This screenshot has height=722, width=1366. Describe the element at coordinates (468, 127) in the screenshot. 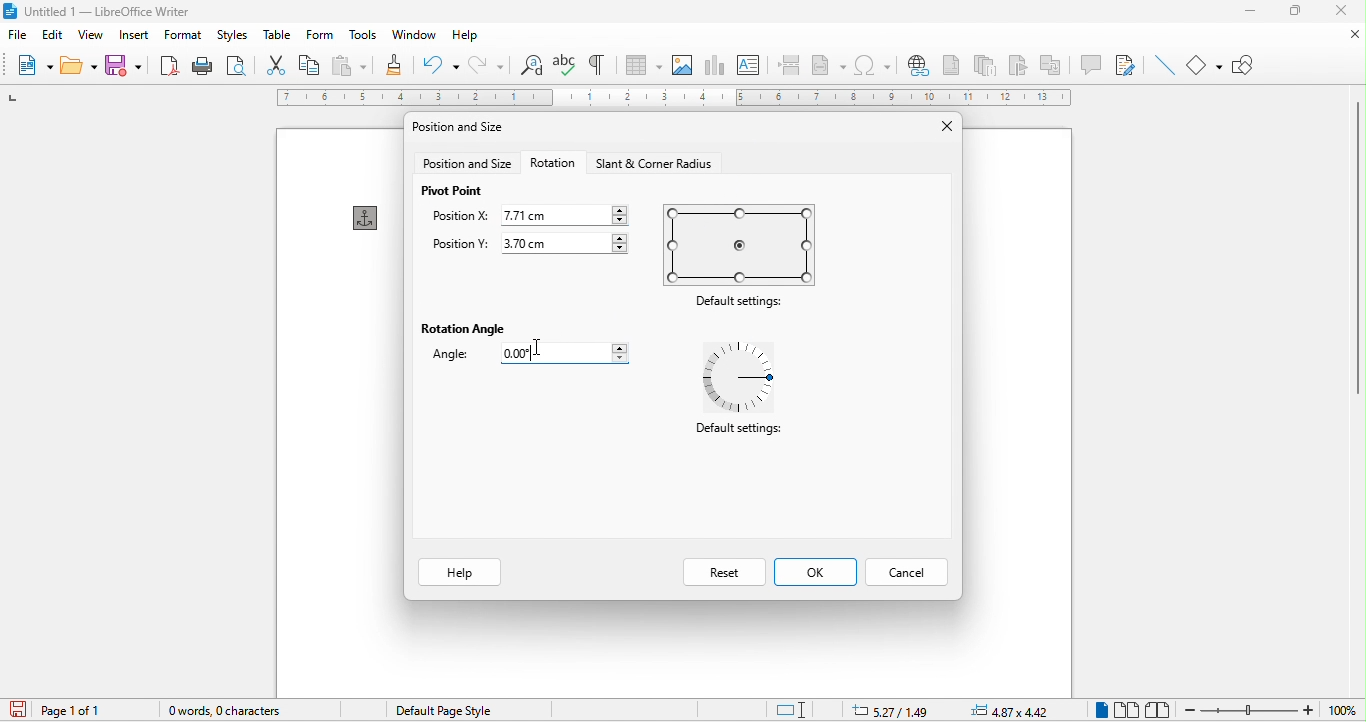

I see `position and size` at that location.